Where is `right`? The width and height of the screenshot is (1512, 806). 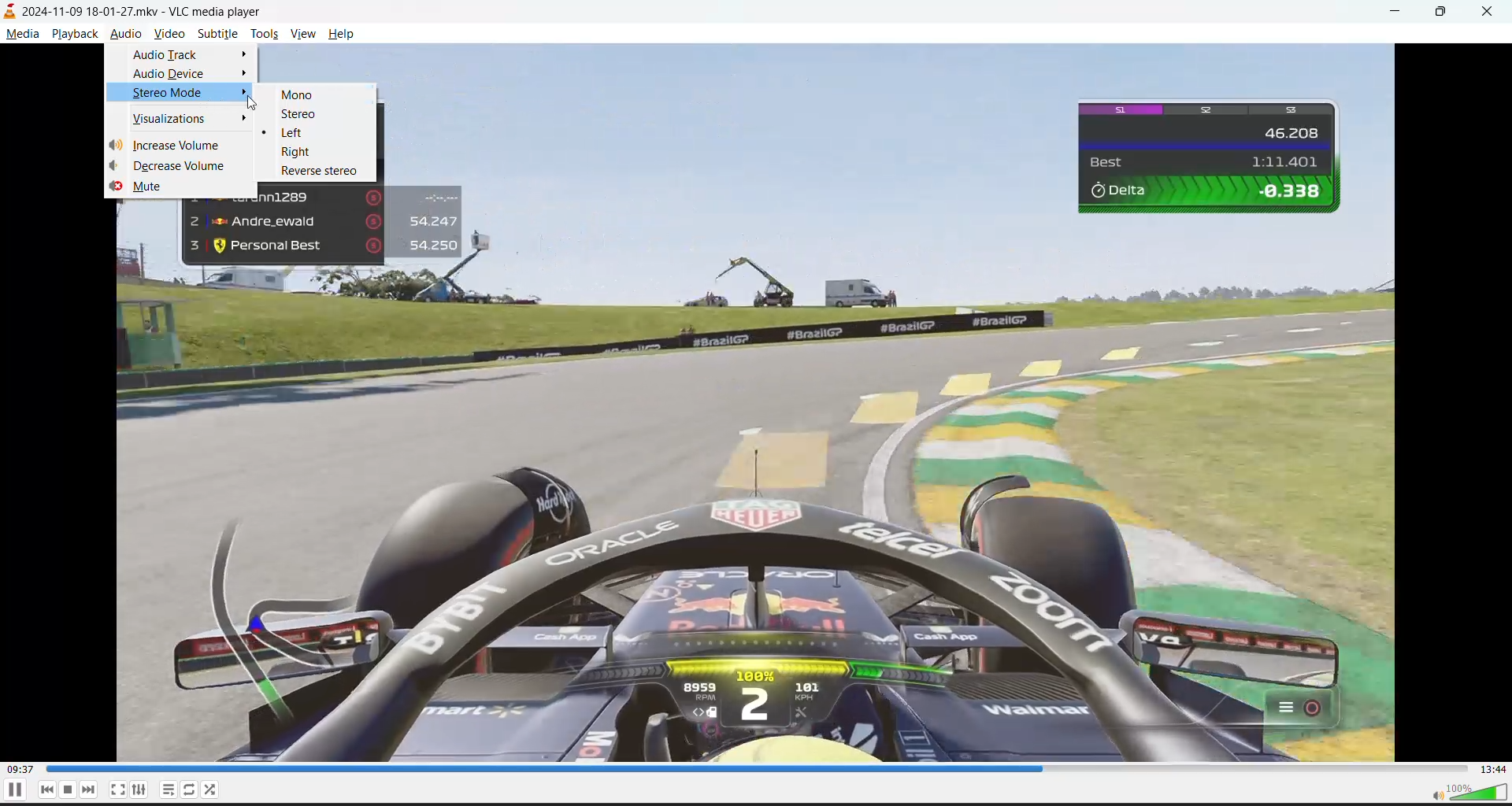 right is located at coordinates (306, 150).